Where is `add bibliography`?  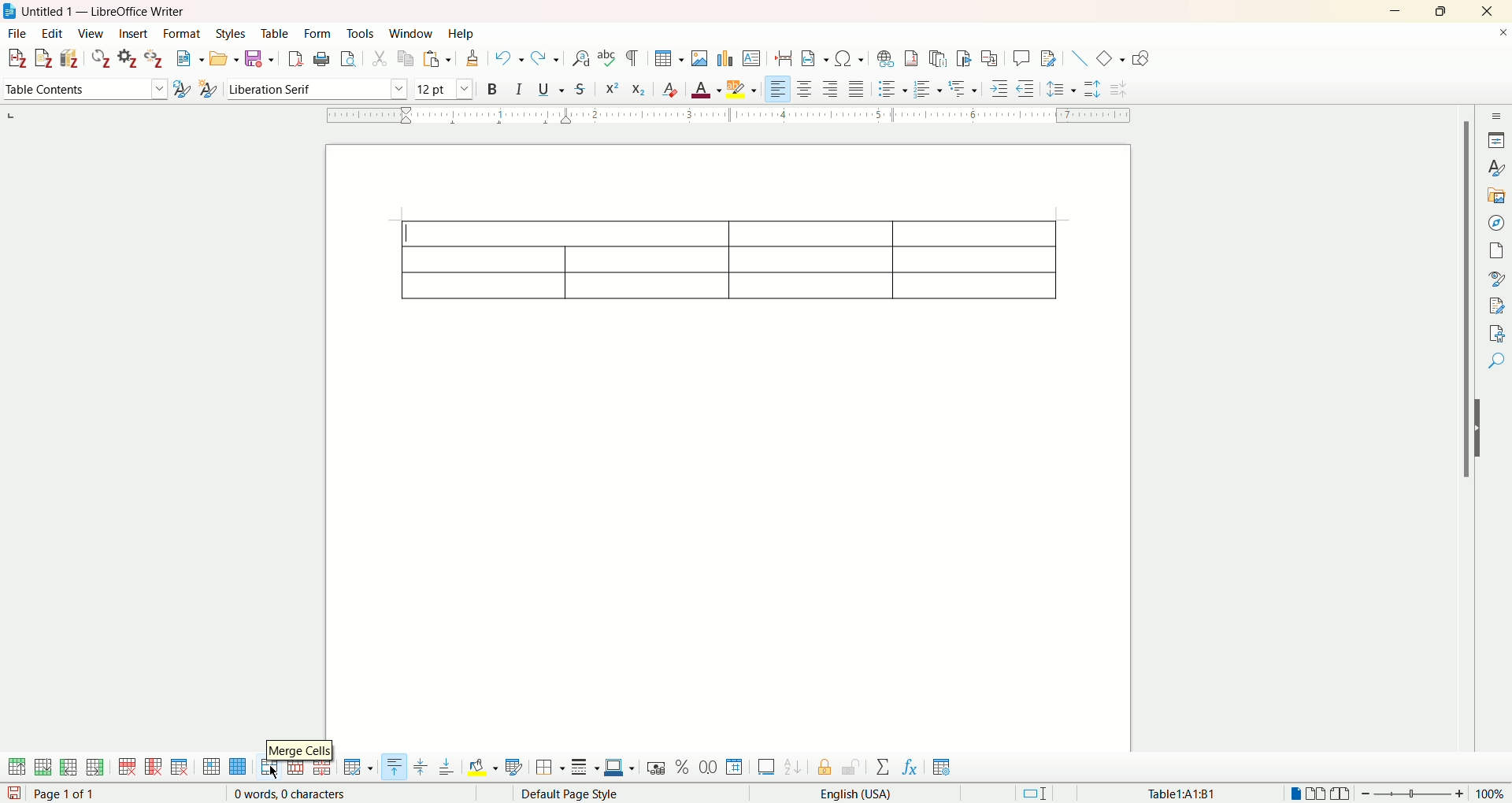
add bibliography is located at coordinates (69, 57).